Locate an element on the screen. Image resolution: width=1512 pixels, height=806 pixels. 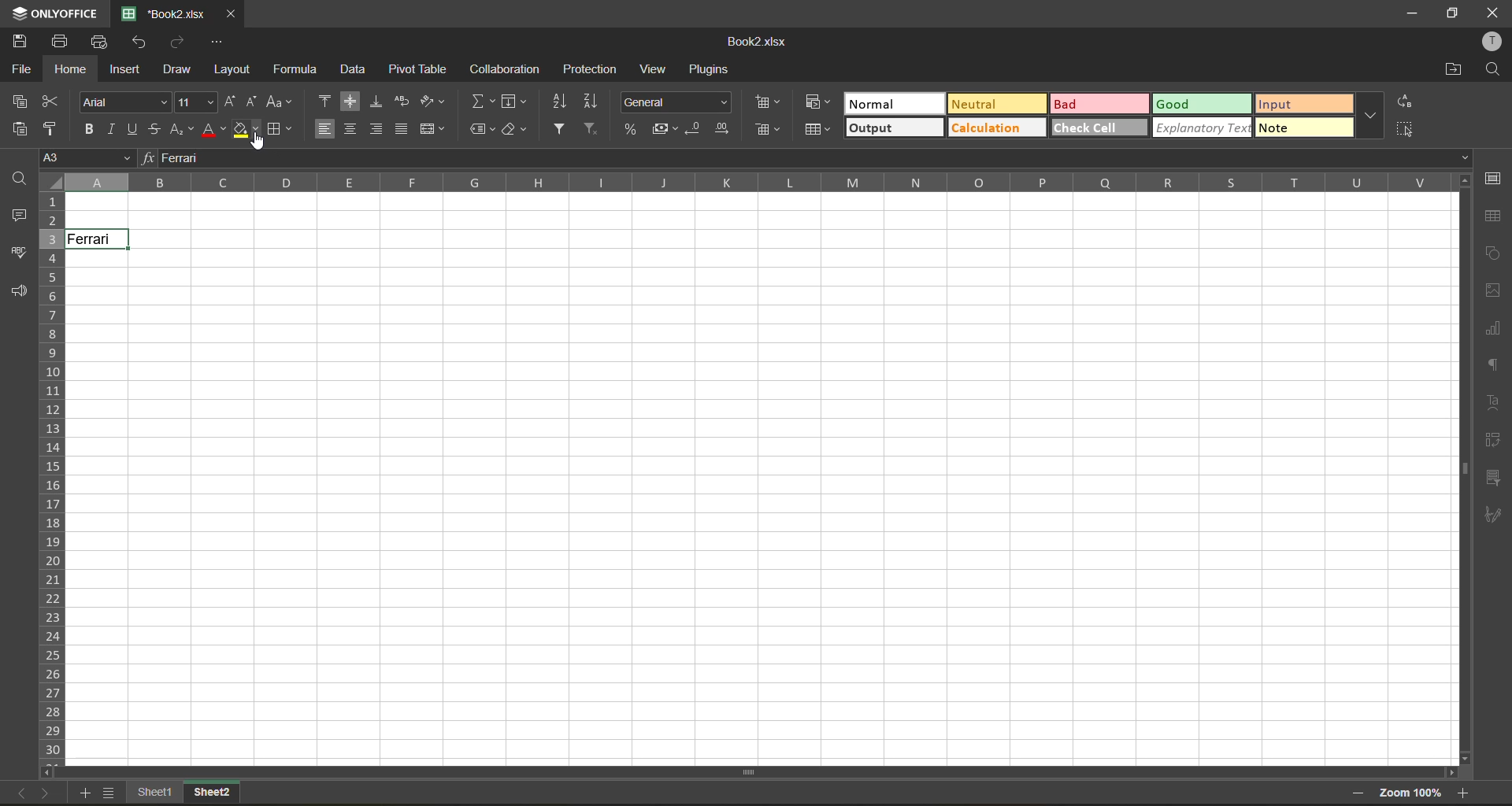
copy style is located at coordinates (54, 130).